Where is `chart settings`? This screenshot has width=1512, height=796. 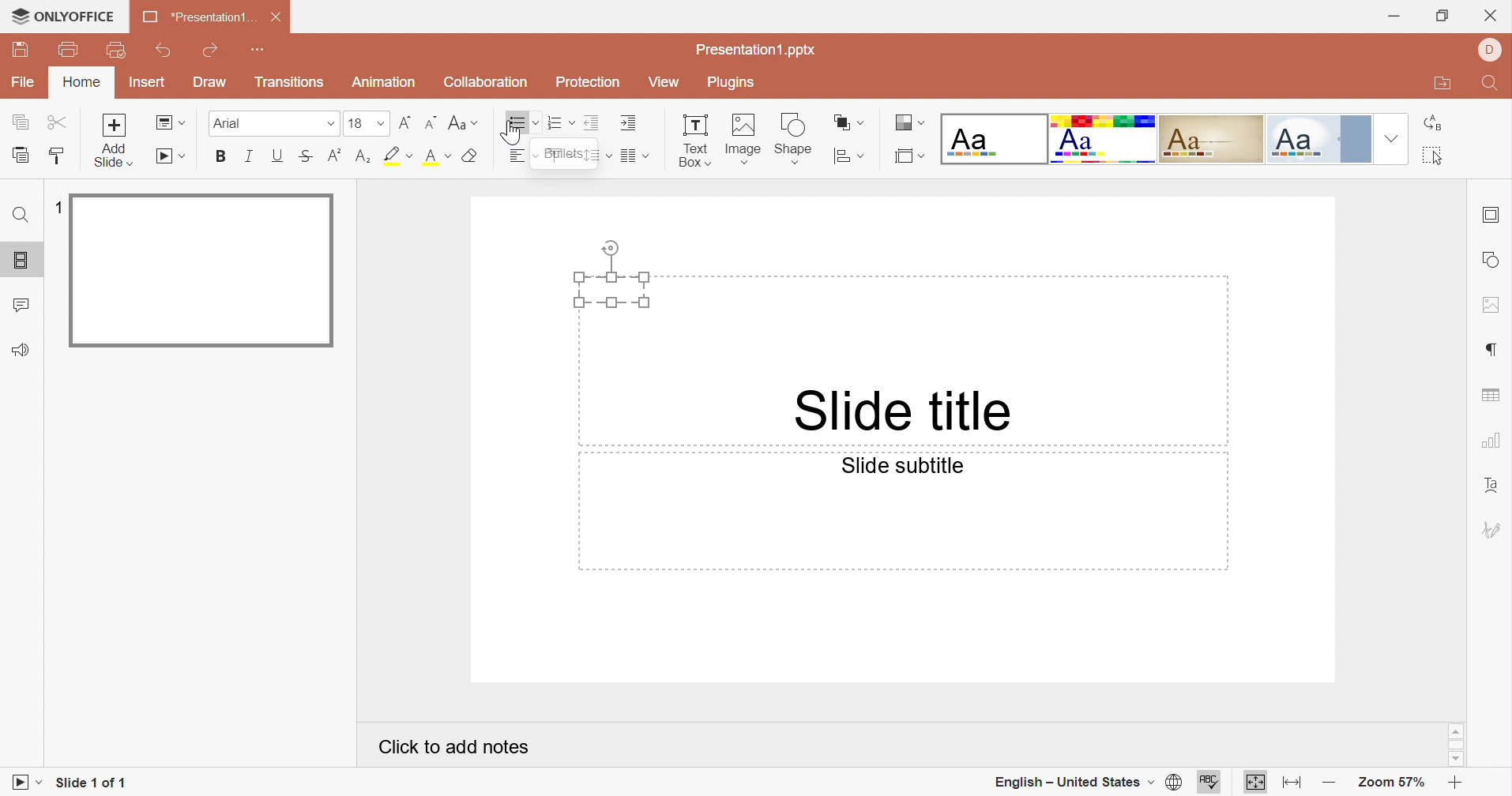
chart settings is located at coordinates (1491, 445).